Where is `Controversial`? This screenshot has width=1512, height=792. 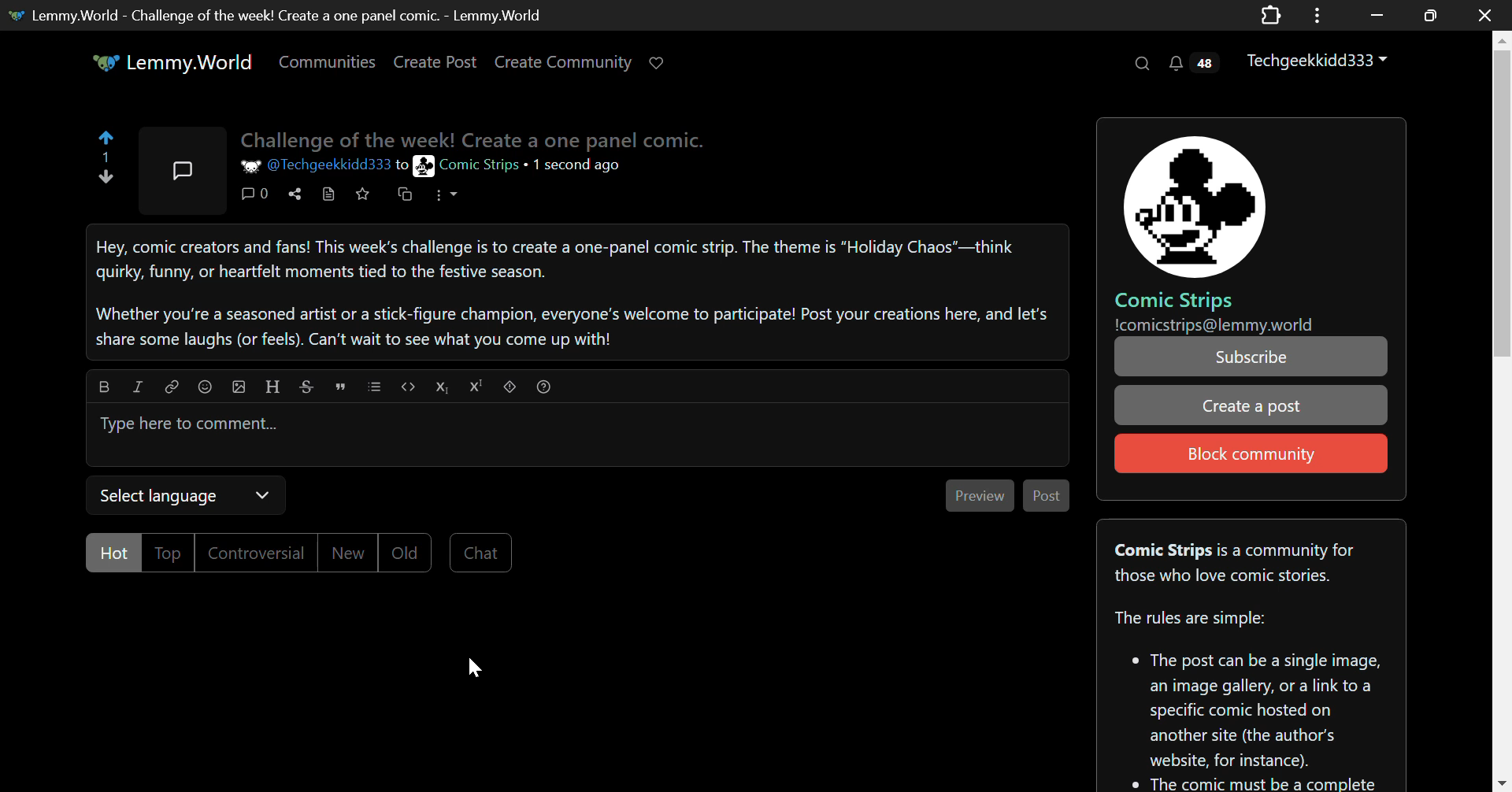 Controversial is located at coordinates (256, 553).